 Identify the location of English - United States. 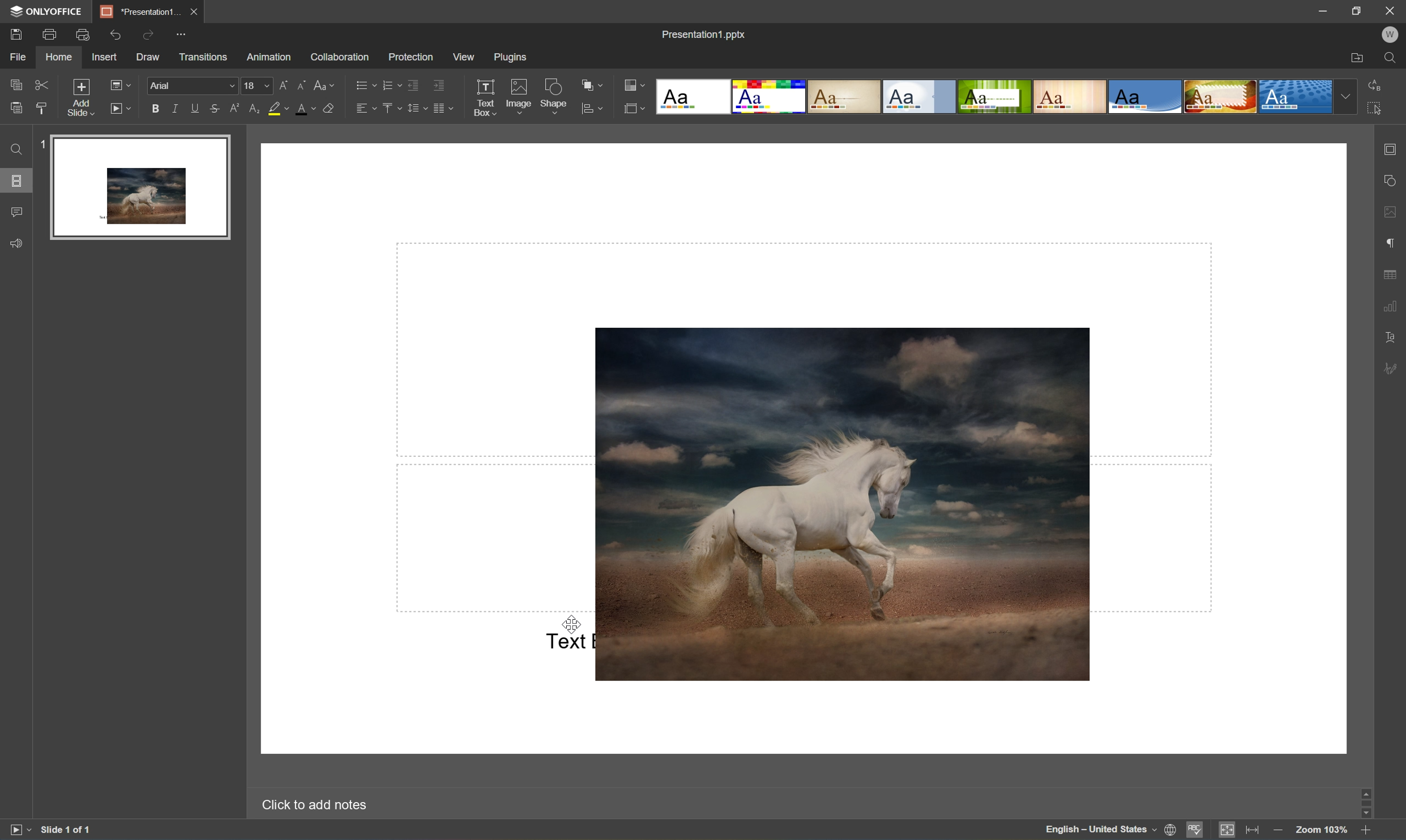
(1100, 831).